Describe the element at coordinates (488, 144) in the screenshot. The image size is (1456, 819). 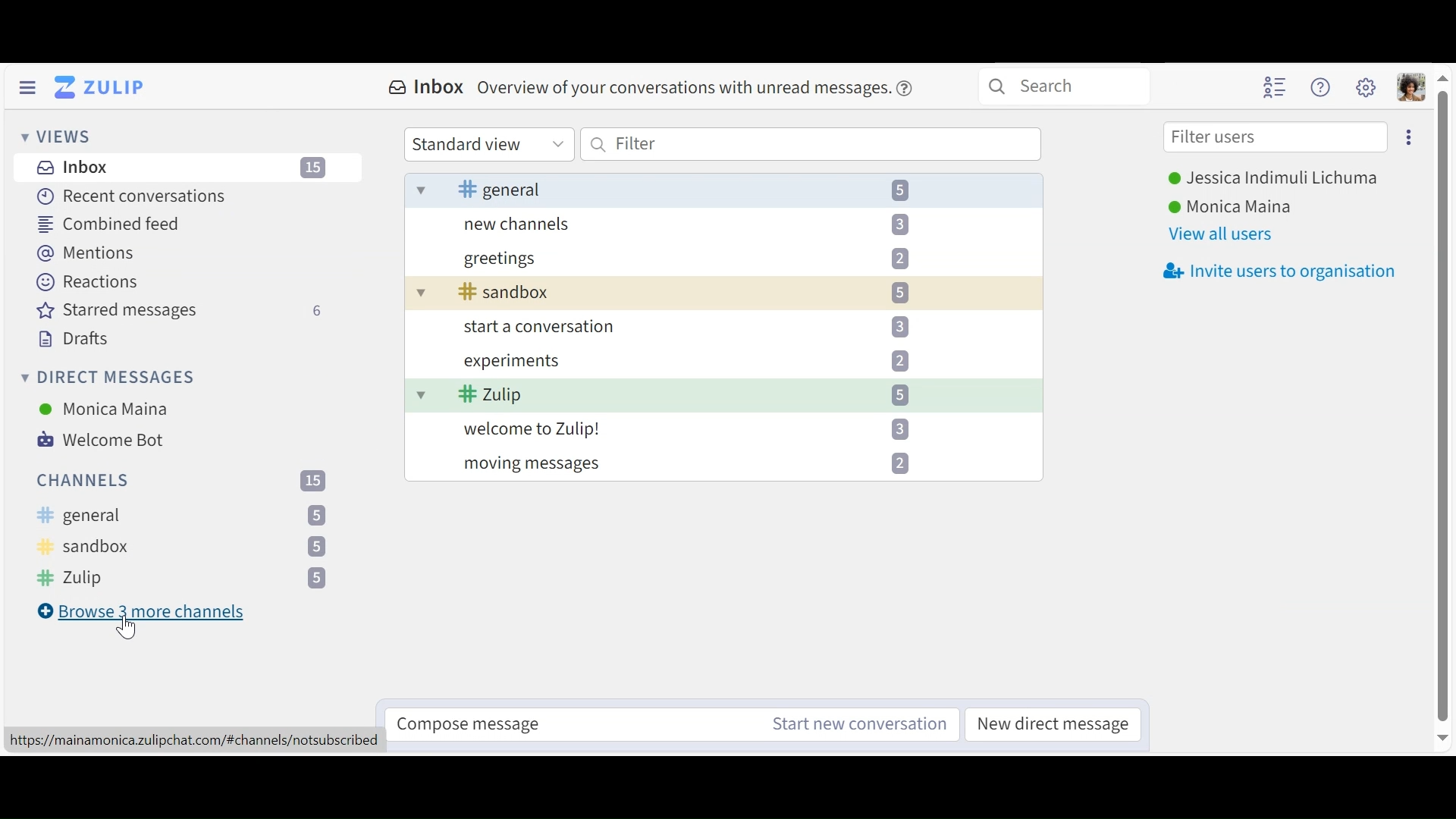
I see `Standard view` at that location.